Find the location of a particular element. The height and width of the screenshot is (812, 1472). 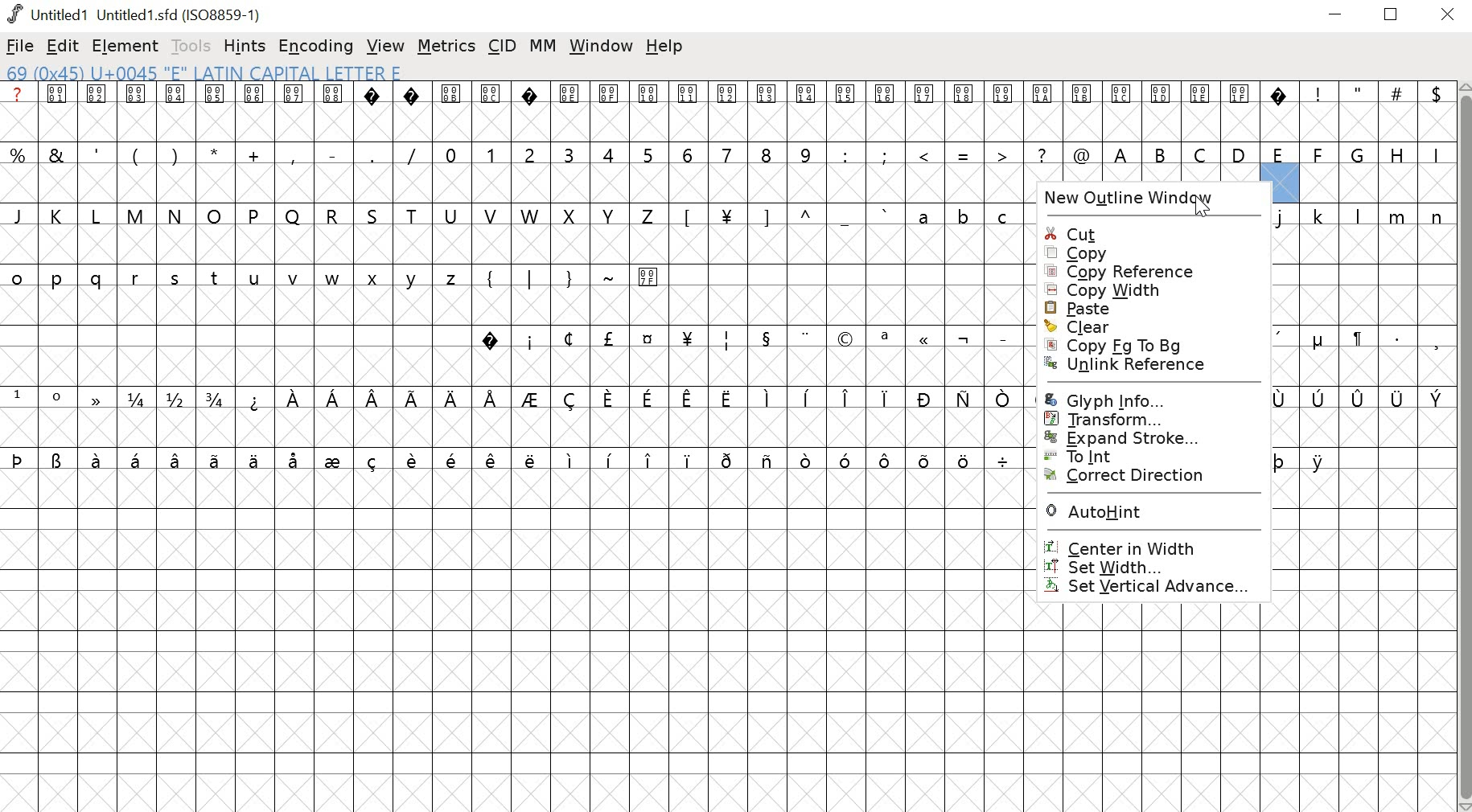

empty cells is located at coordinates (1396, 630).